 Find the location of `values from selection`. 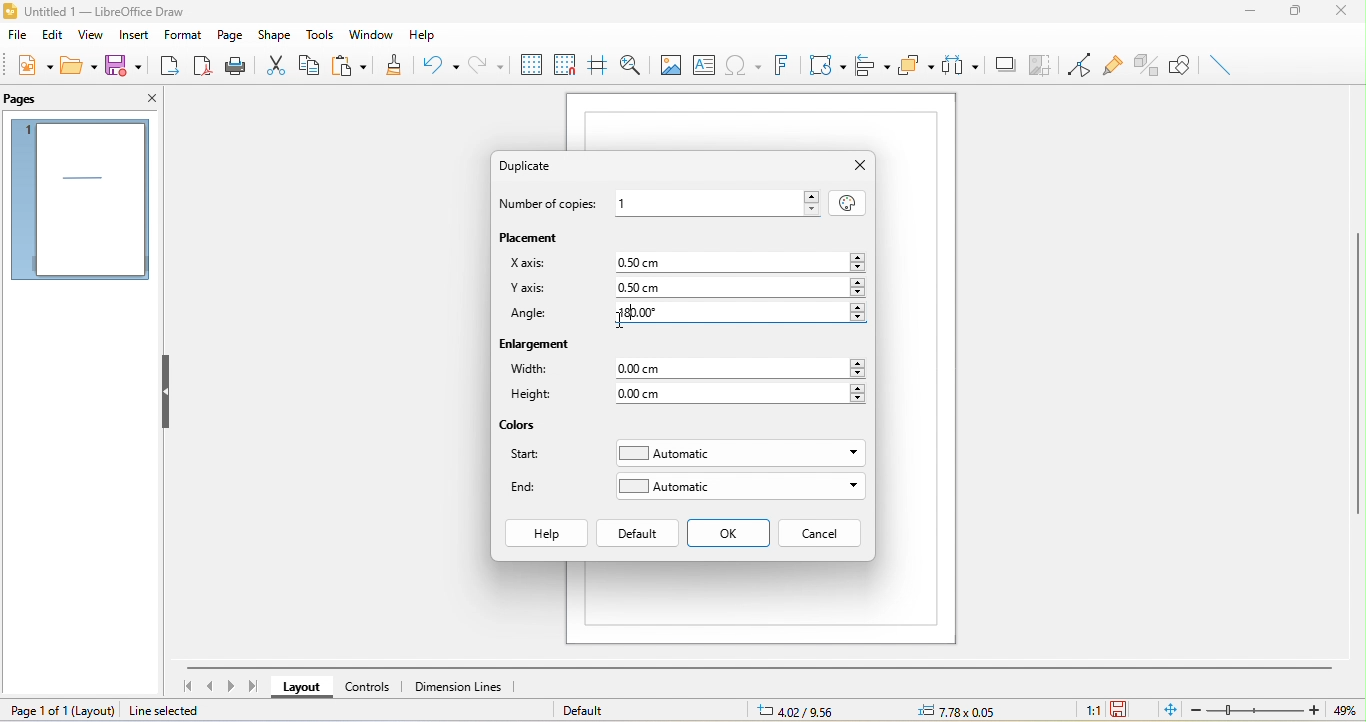

values from selection is located at coordinates (846, 201).